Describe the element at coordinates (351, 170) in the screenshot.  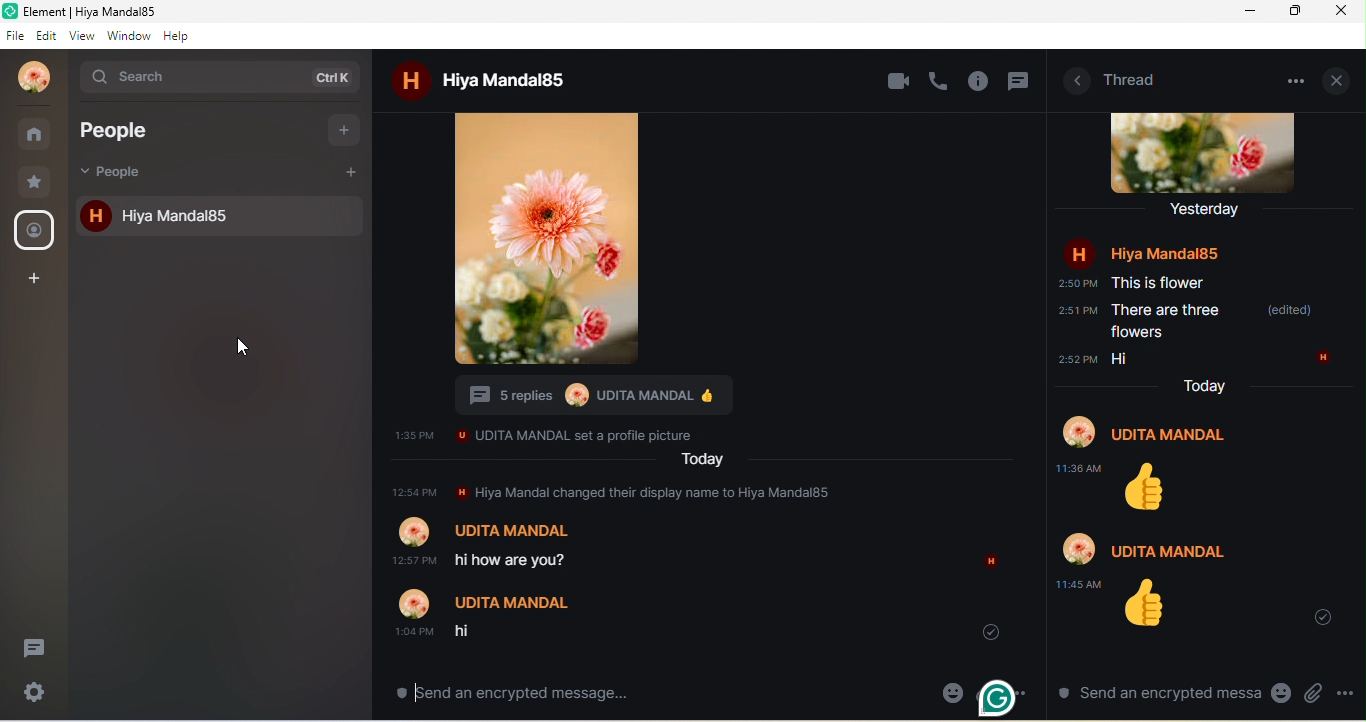
I see `add` at that location.